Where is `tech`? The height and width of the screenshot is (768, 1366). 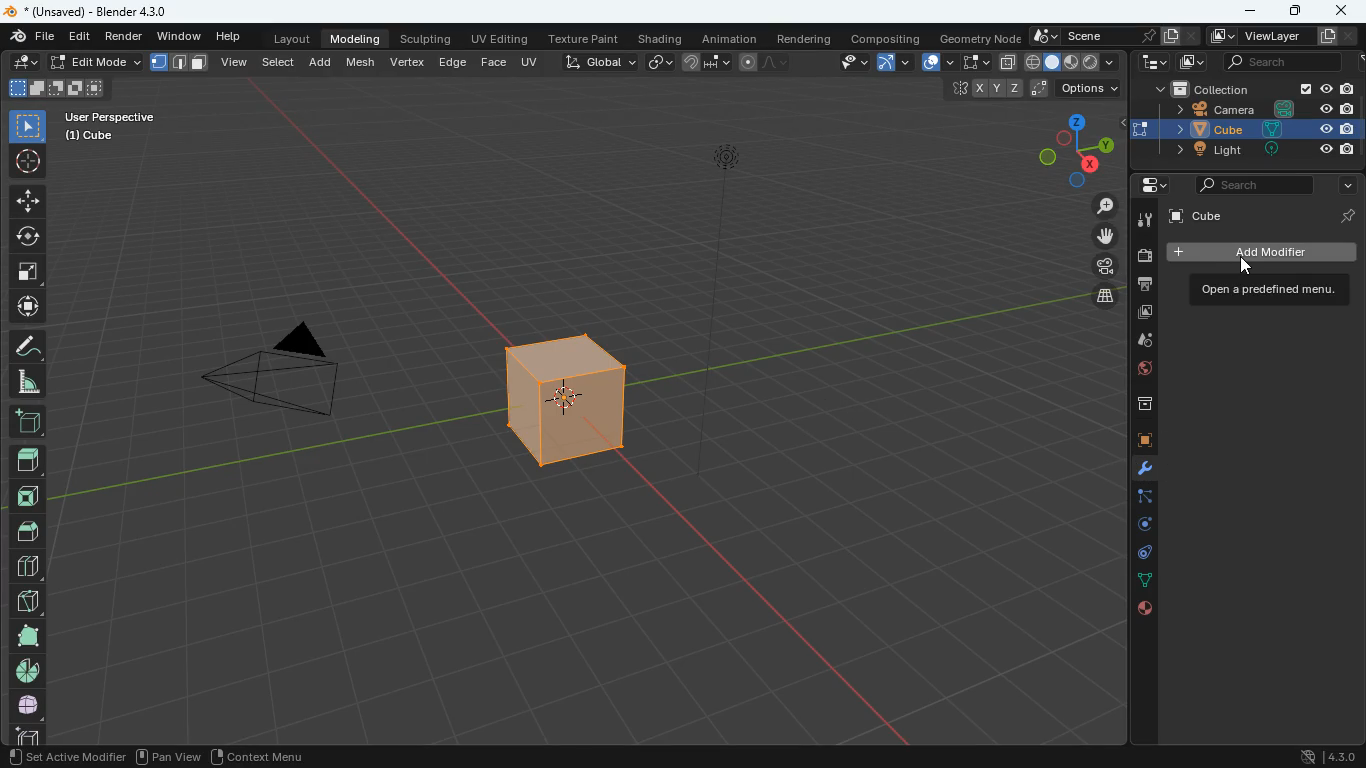 tech is located at coordinates (1151, 62).